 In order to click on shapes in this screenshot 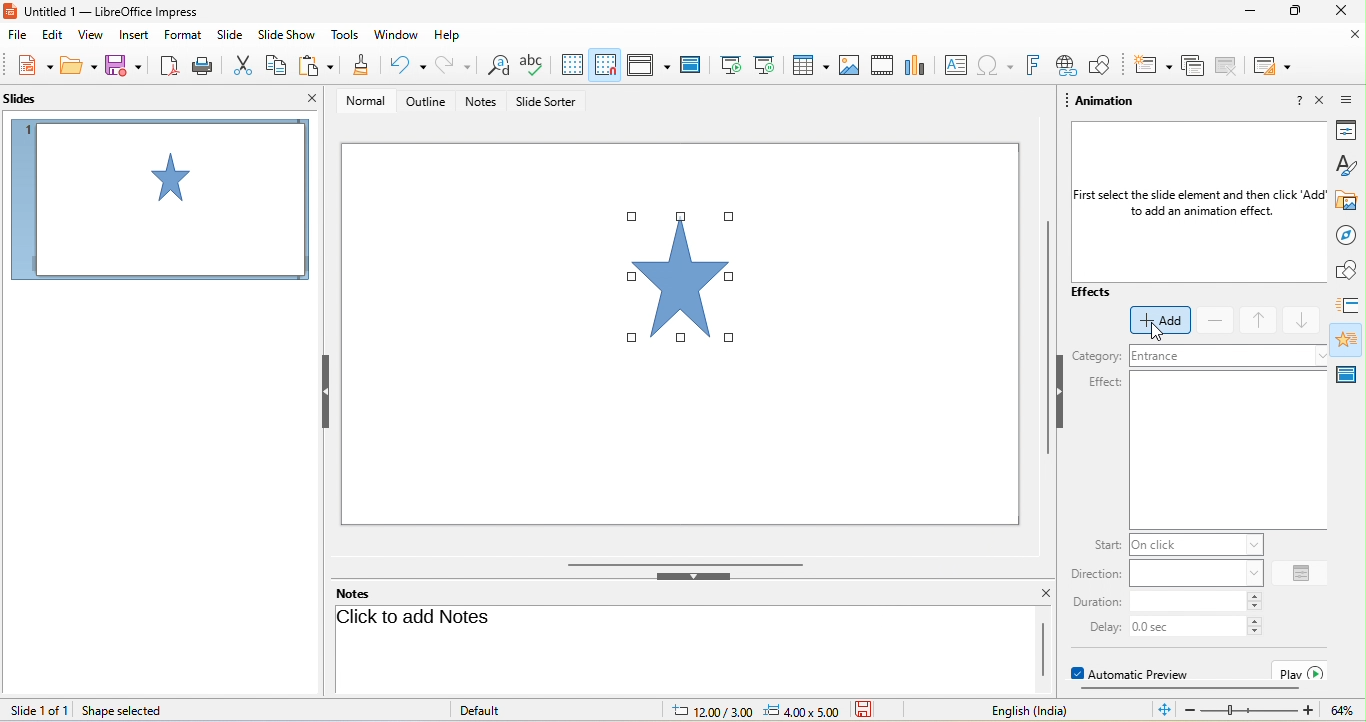, I will do `click(1351, 269)`.